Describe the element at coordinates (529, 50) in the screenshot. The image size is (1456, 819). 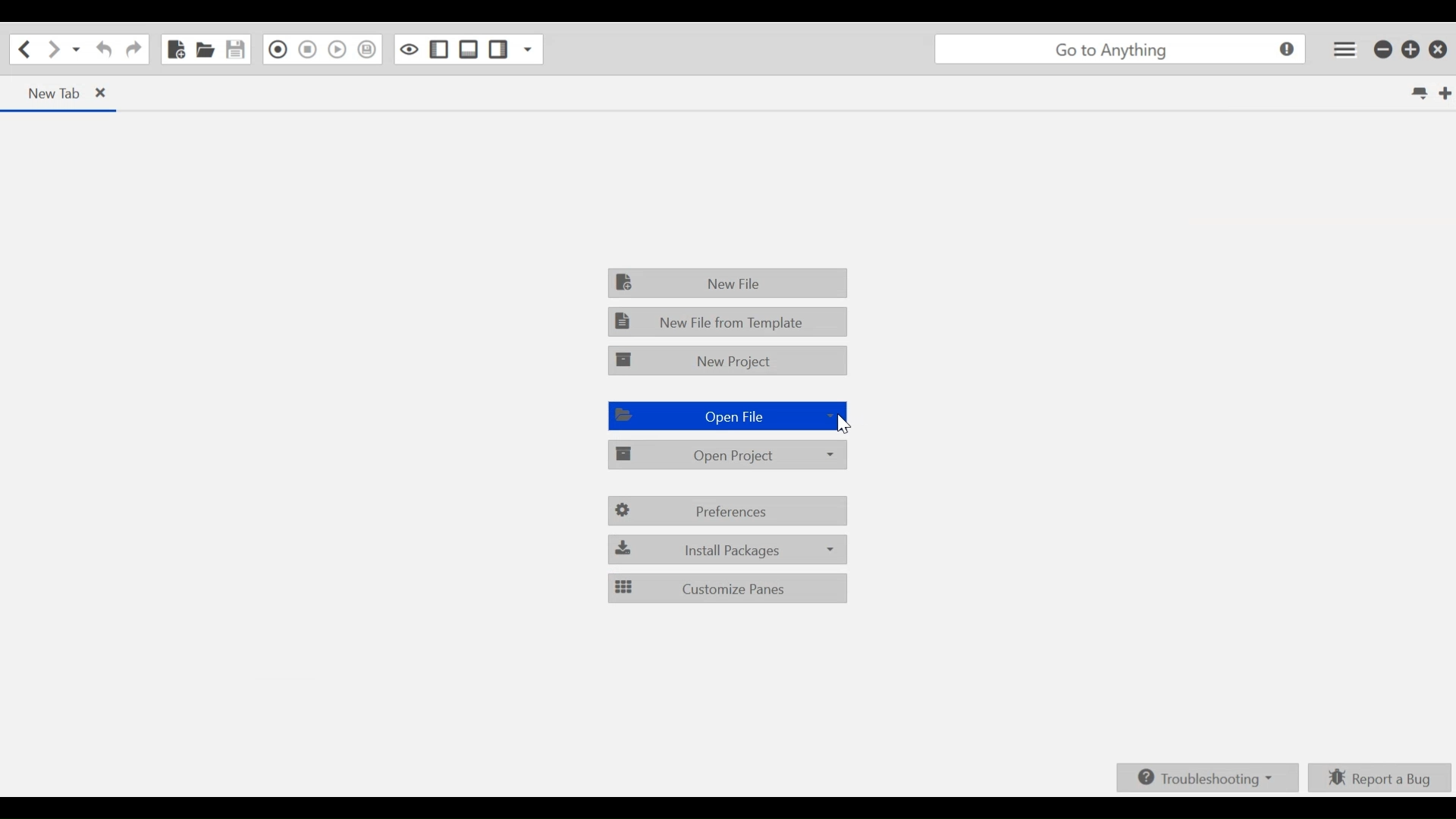
I see `Show specific Side Pane` at that location.